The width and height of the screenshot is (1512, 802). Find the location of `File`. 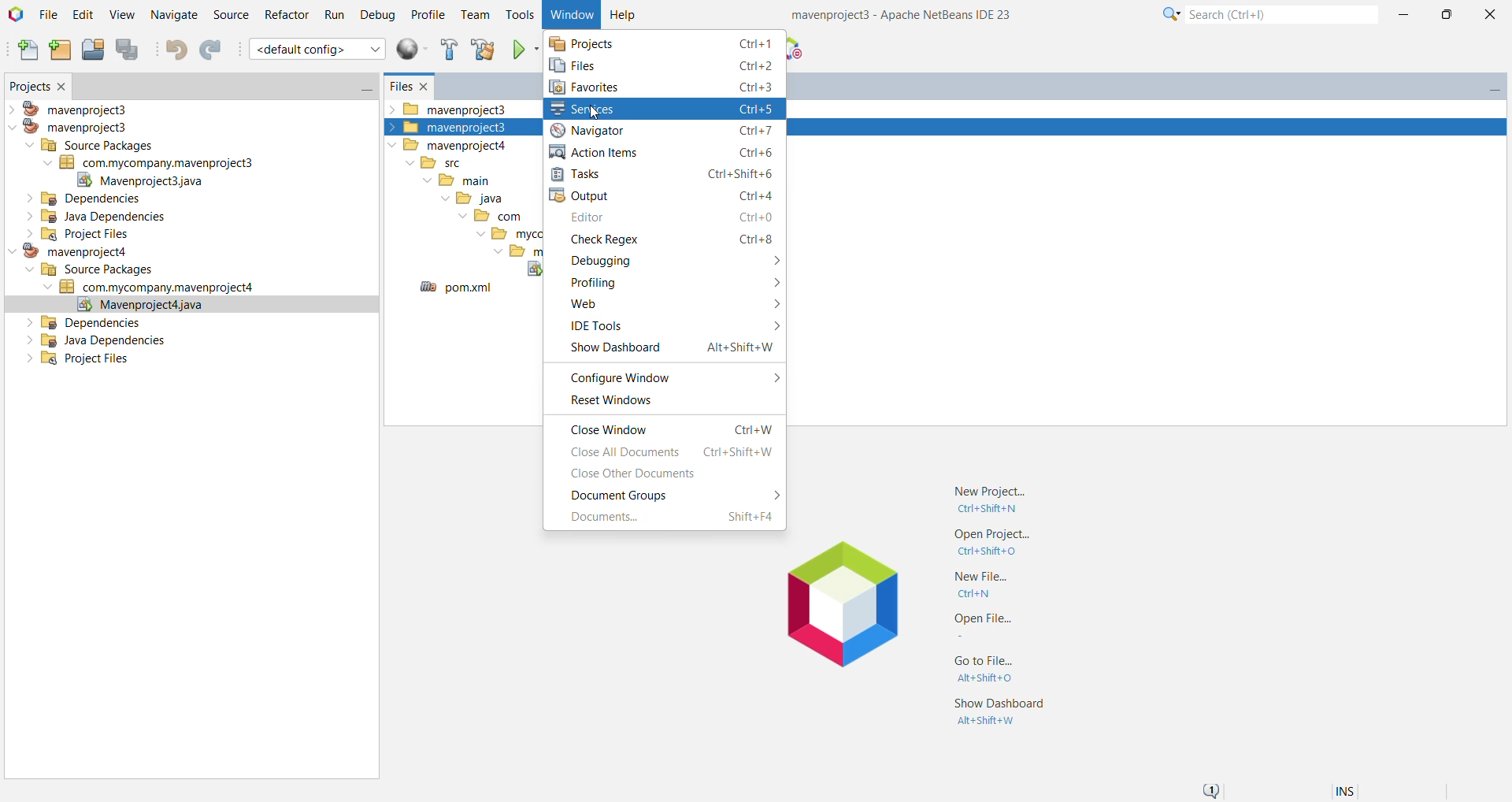

File is located at coordinates (49, 15).